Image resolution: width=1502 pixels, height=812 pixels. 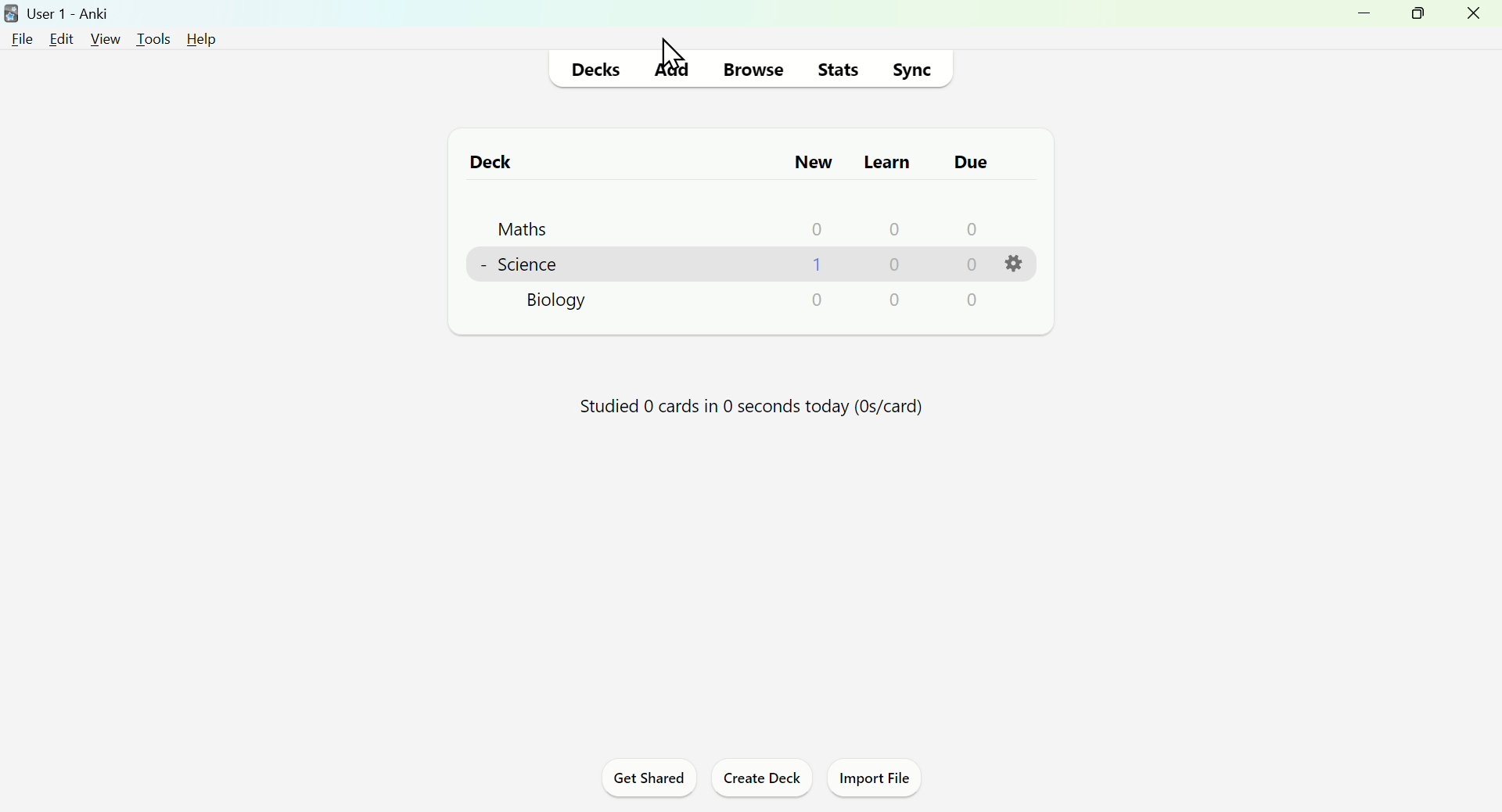 I want to click on 0, so click(x=972, y=303).